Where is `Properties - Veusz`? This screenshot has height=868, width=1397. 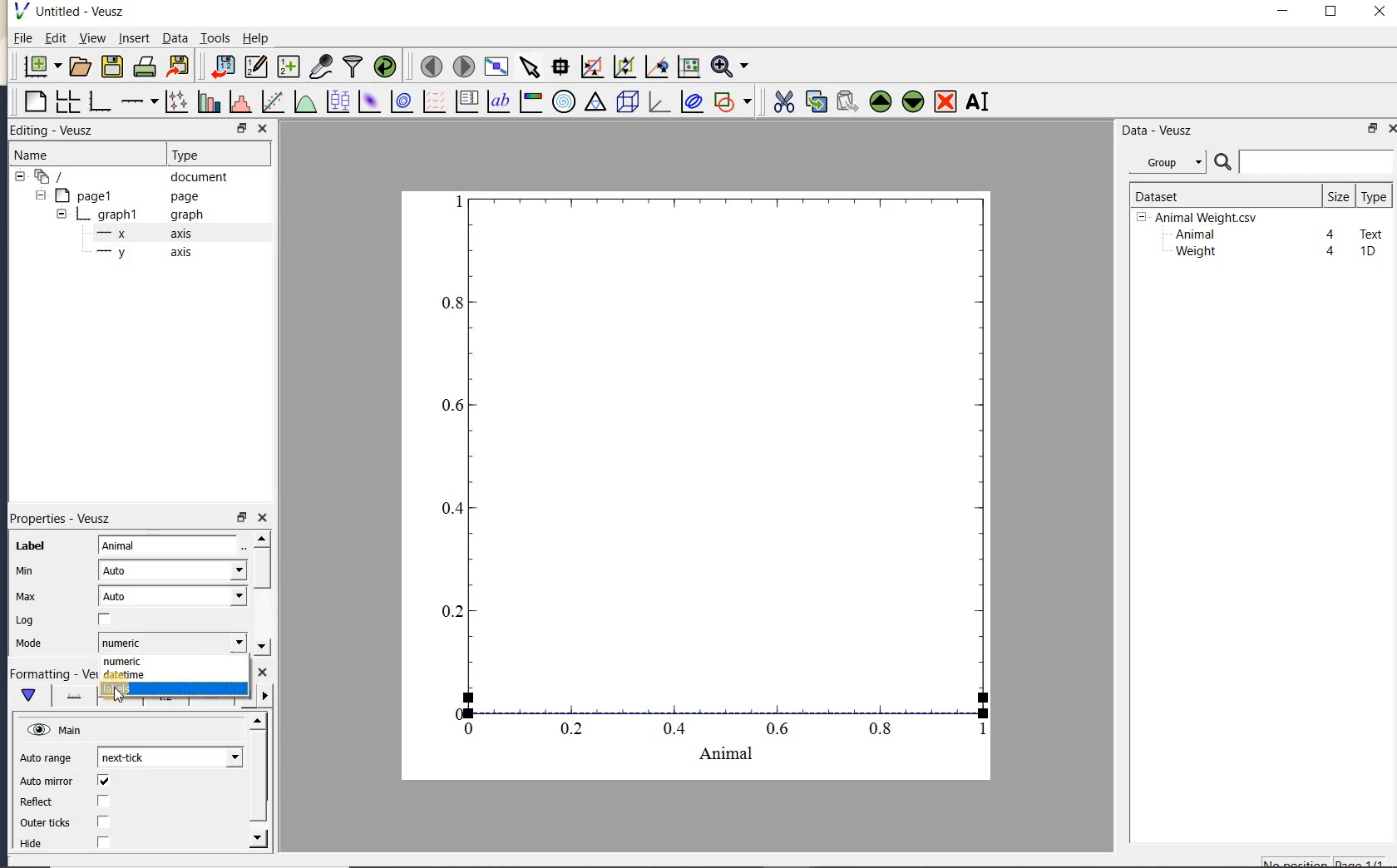
Properties - Veusz is located at coordinates (66, 518).